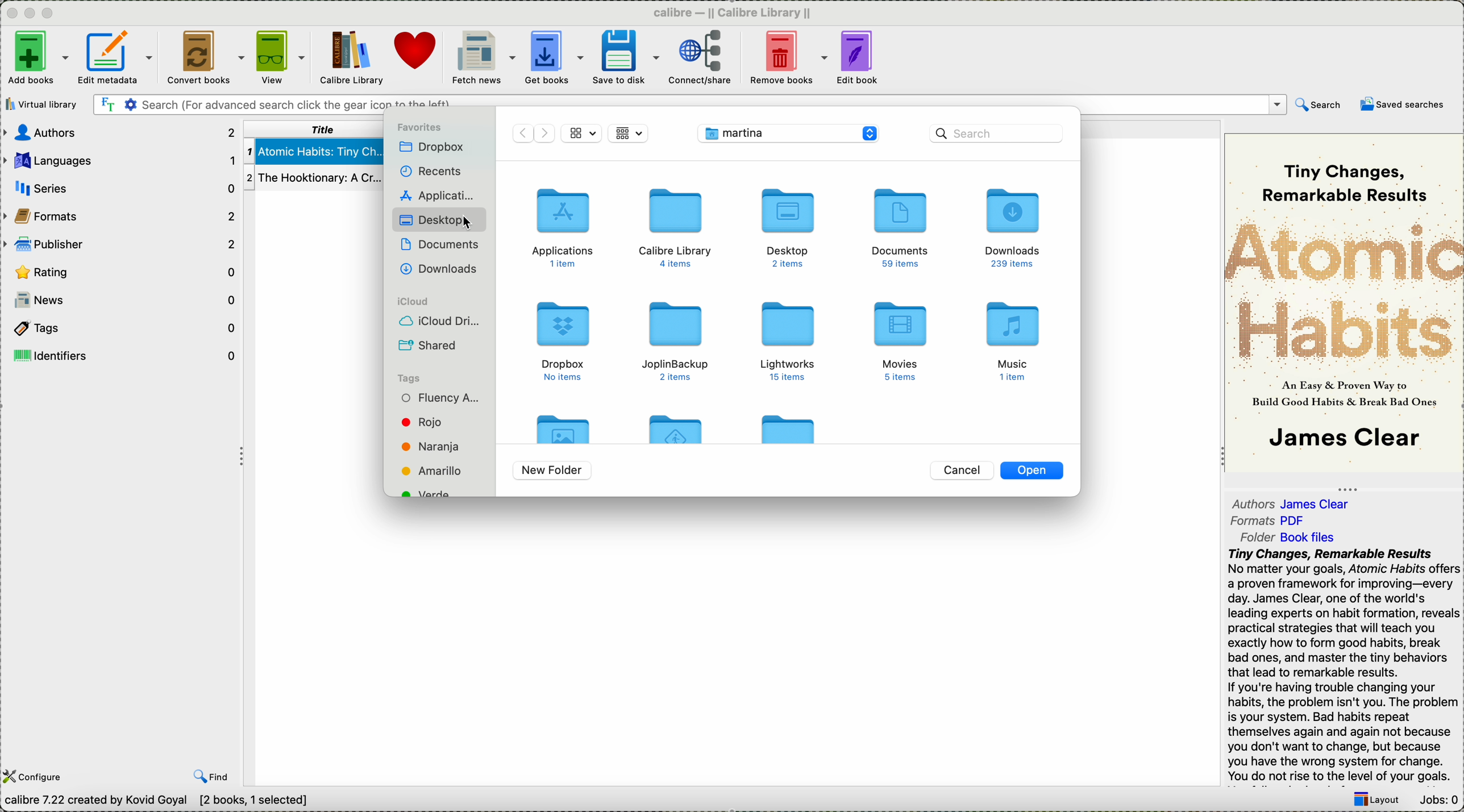 This screenshot has height=812, width=1464. Describe the element at coordinates (441, 398) in the screenshot. I see `tag` at that location.